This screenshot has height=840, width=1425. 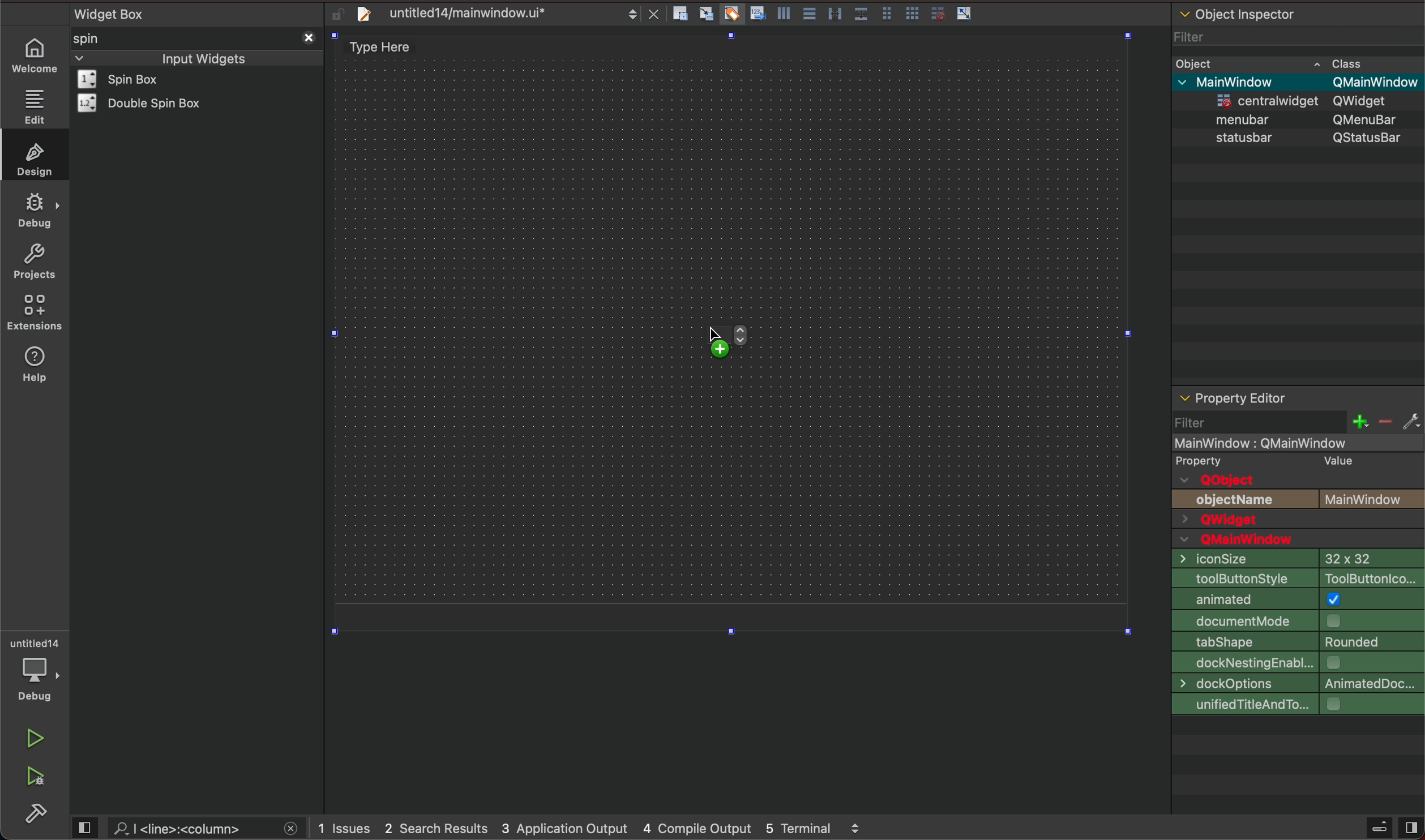 What do you see at coordinates (1297, 577) in the screenshot?
I see `toolbutton style` at bounding box center [1297, 577].